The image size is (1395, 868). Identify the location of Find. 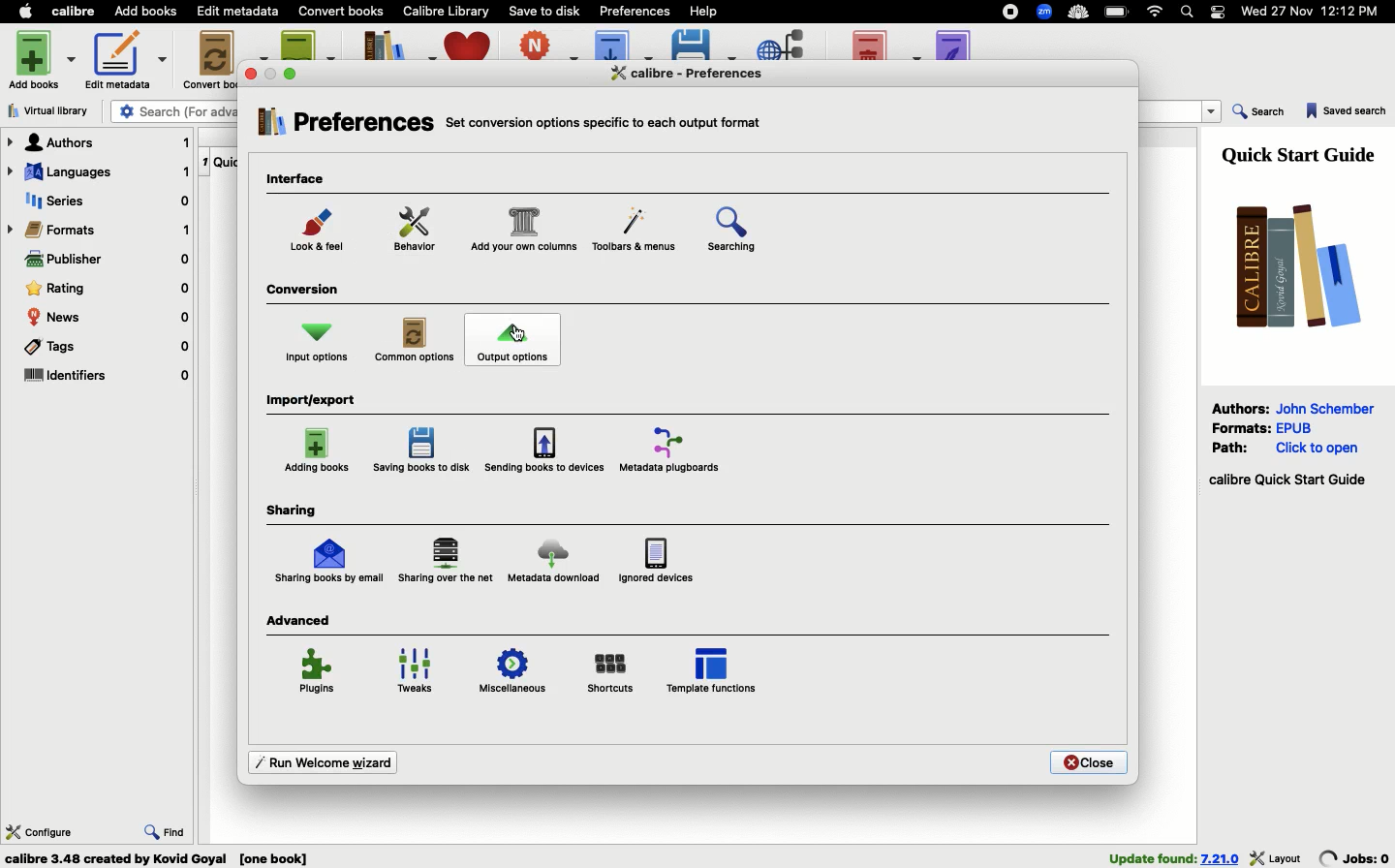
(166, 829).